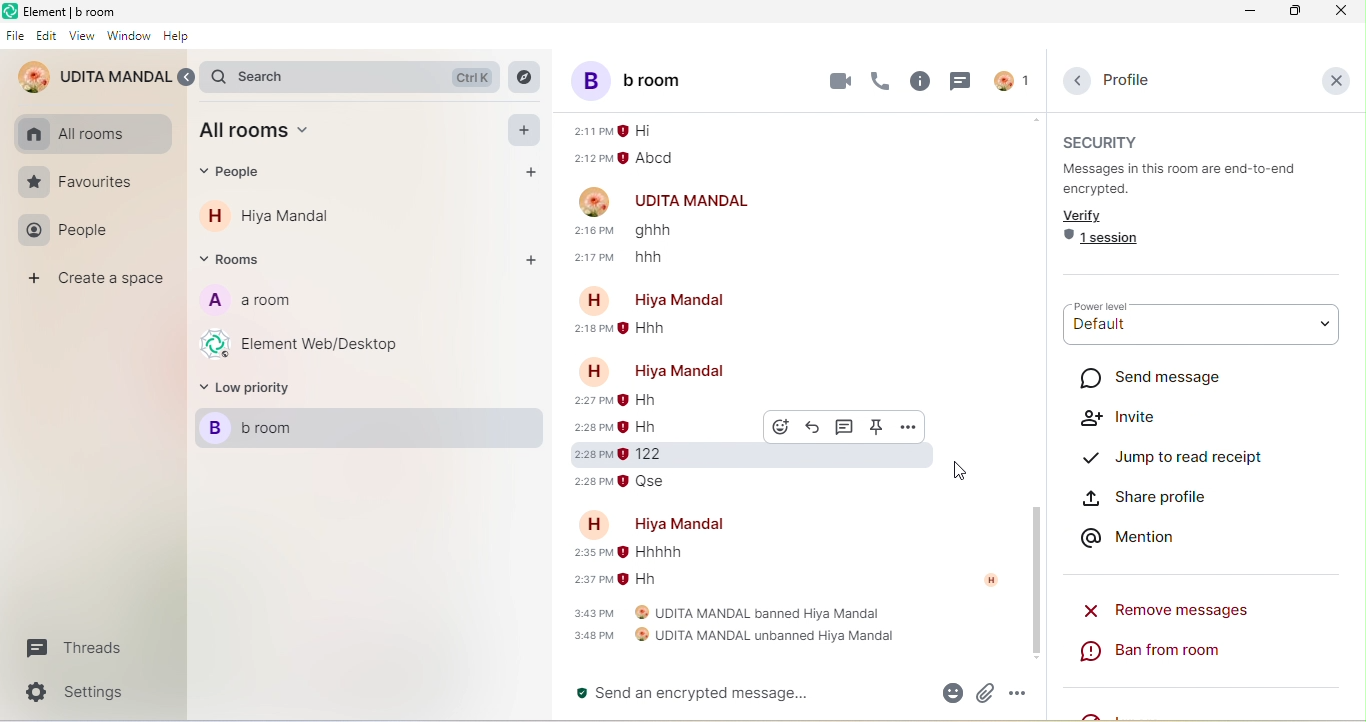  What do you see at coordinates (70, 651) in the screenshot?
I see `threads` at bounding box center [70, 651].